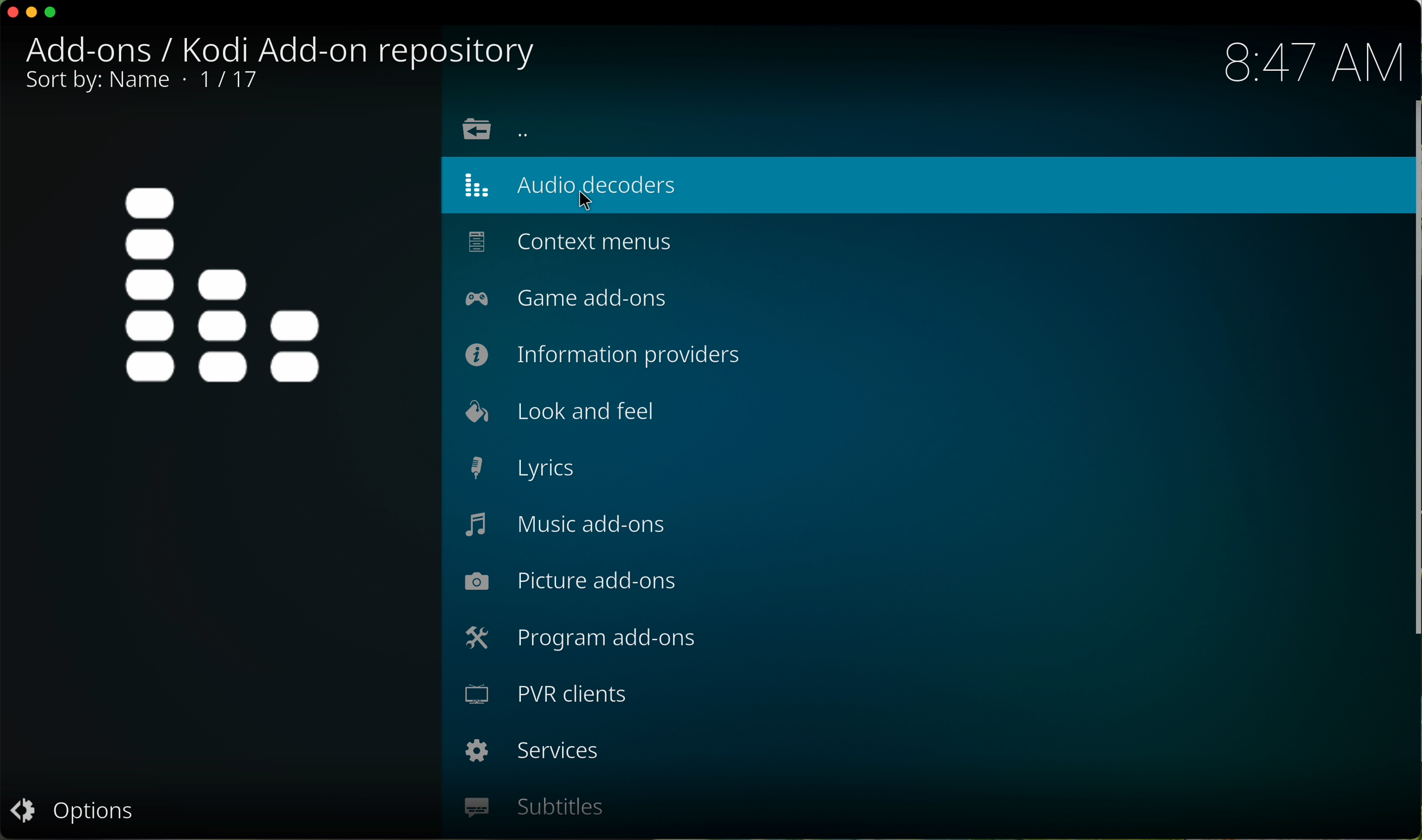 The height and width of the screenshot is (840, 1422). Describe the element at coordinates (11, 13) in the screenshot. I see `close program` at that location.